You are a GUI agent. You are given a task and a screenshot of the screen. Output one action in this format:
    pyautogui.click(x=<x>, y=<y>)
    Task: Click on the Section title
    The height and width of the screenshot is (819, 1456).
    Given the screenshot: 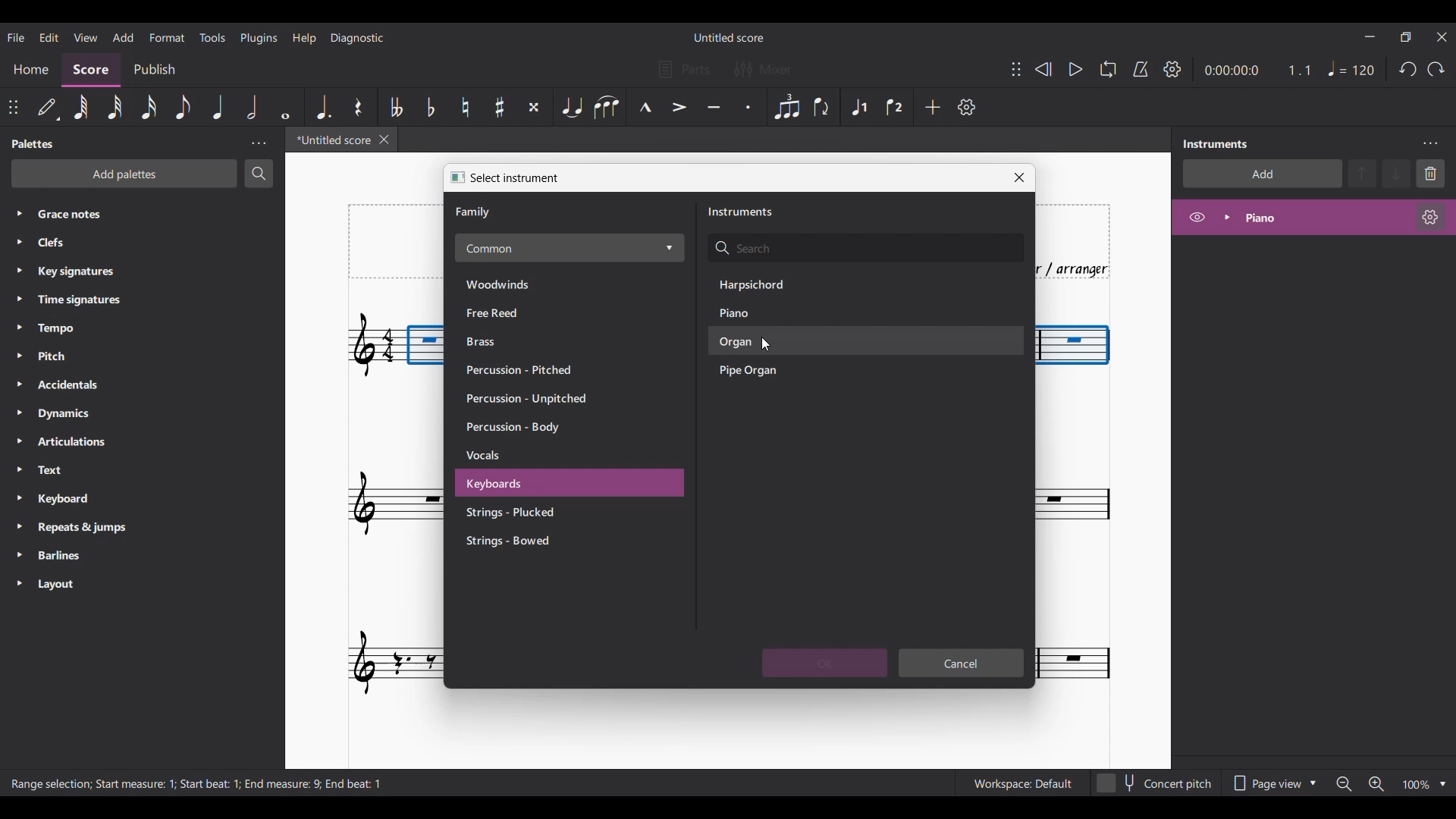 What is the action you would take?
    pyautogui.click(x=741, y=212)
    